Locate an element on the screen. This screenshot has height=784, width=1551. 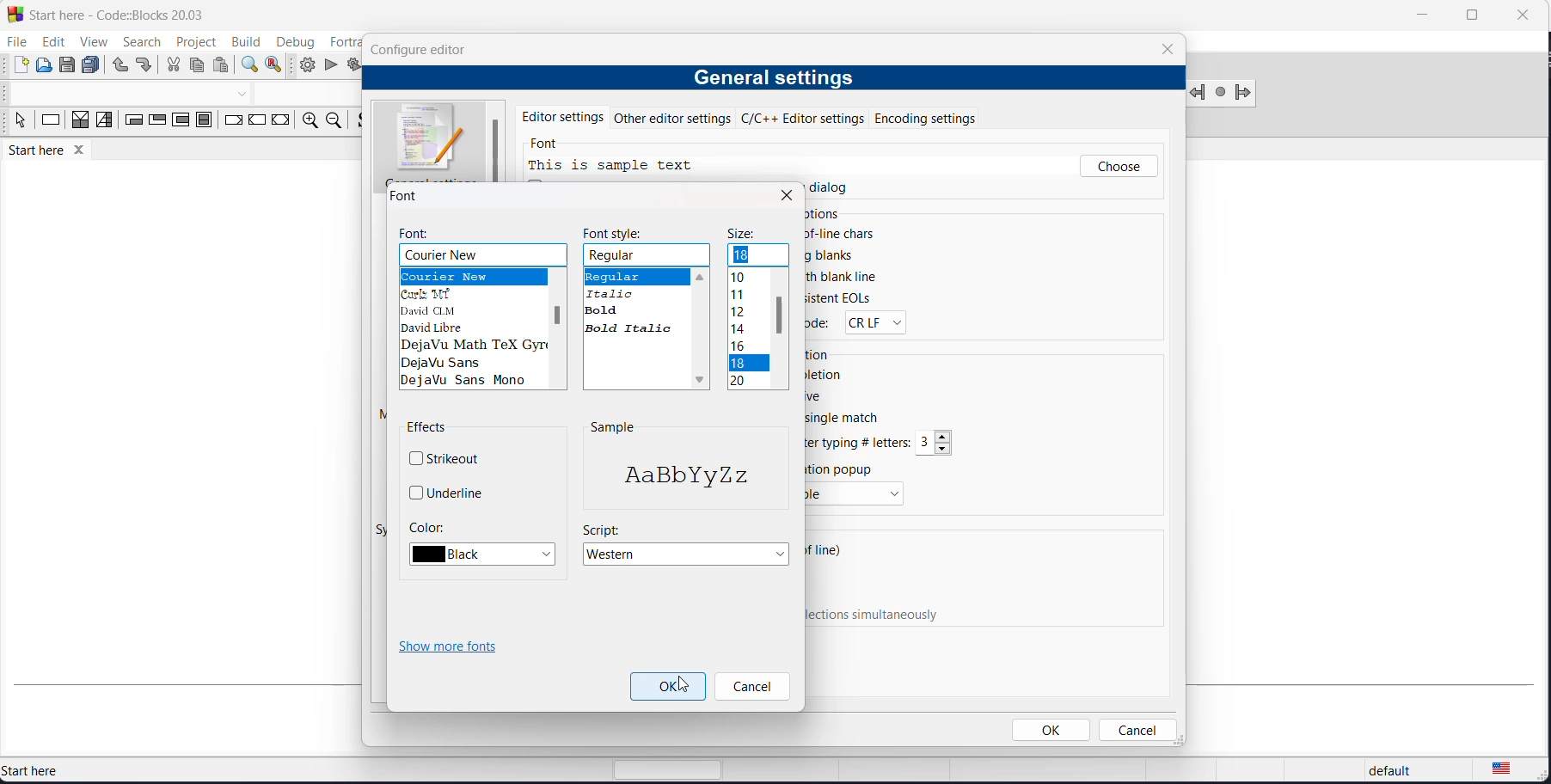
text languge is located at coordinates (1513, 772).